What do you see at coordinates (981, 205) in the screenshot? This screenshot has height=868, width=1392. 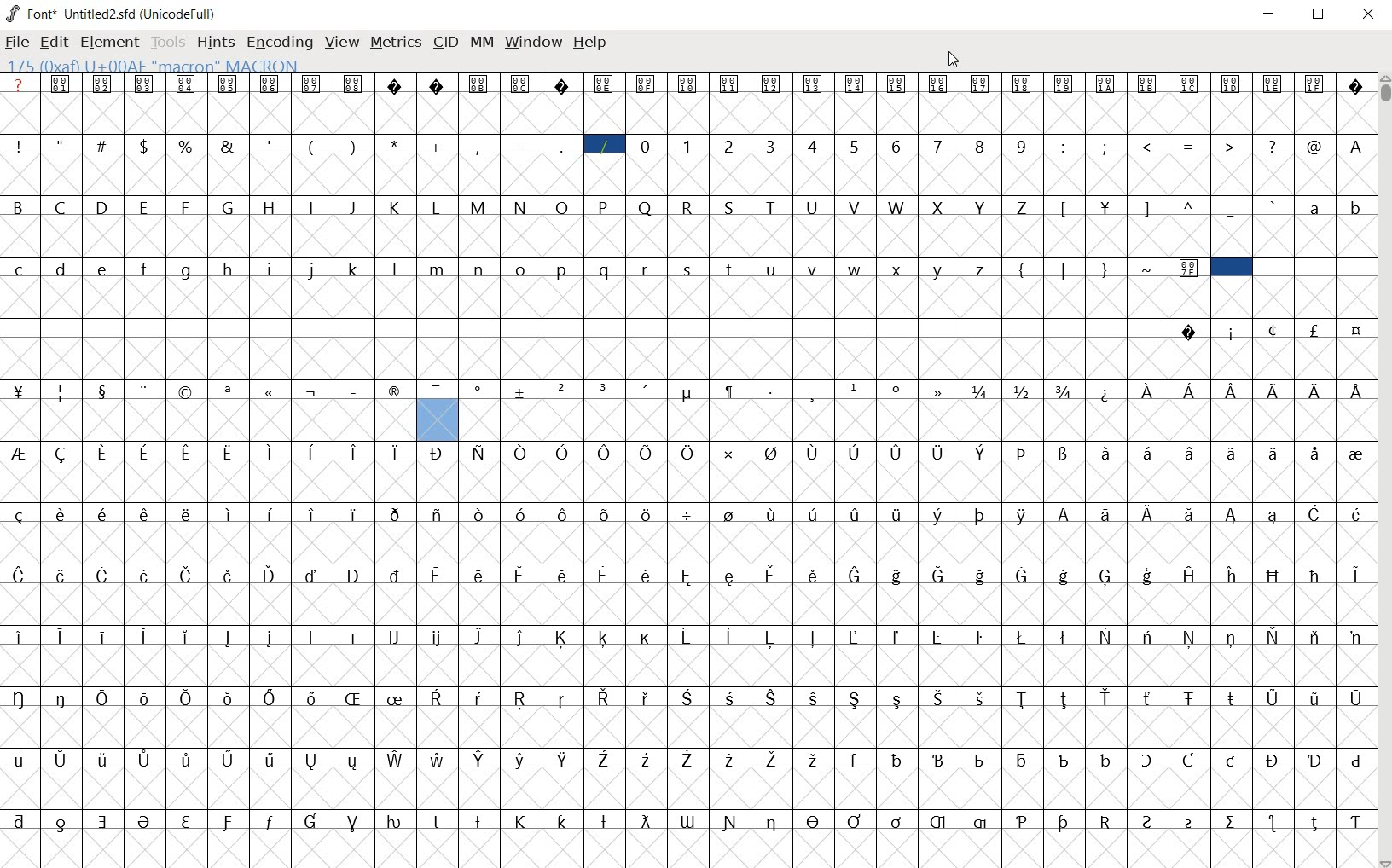 I see `Y` at bounding box center [981, 205].